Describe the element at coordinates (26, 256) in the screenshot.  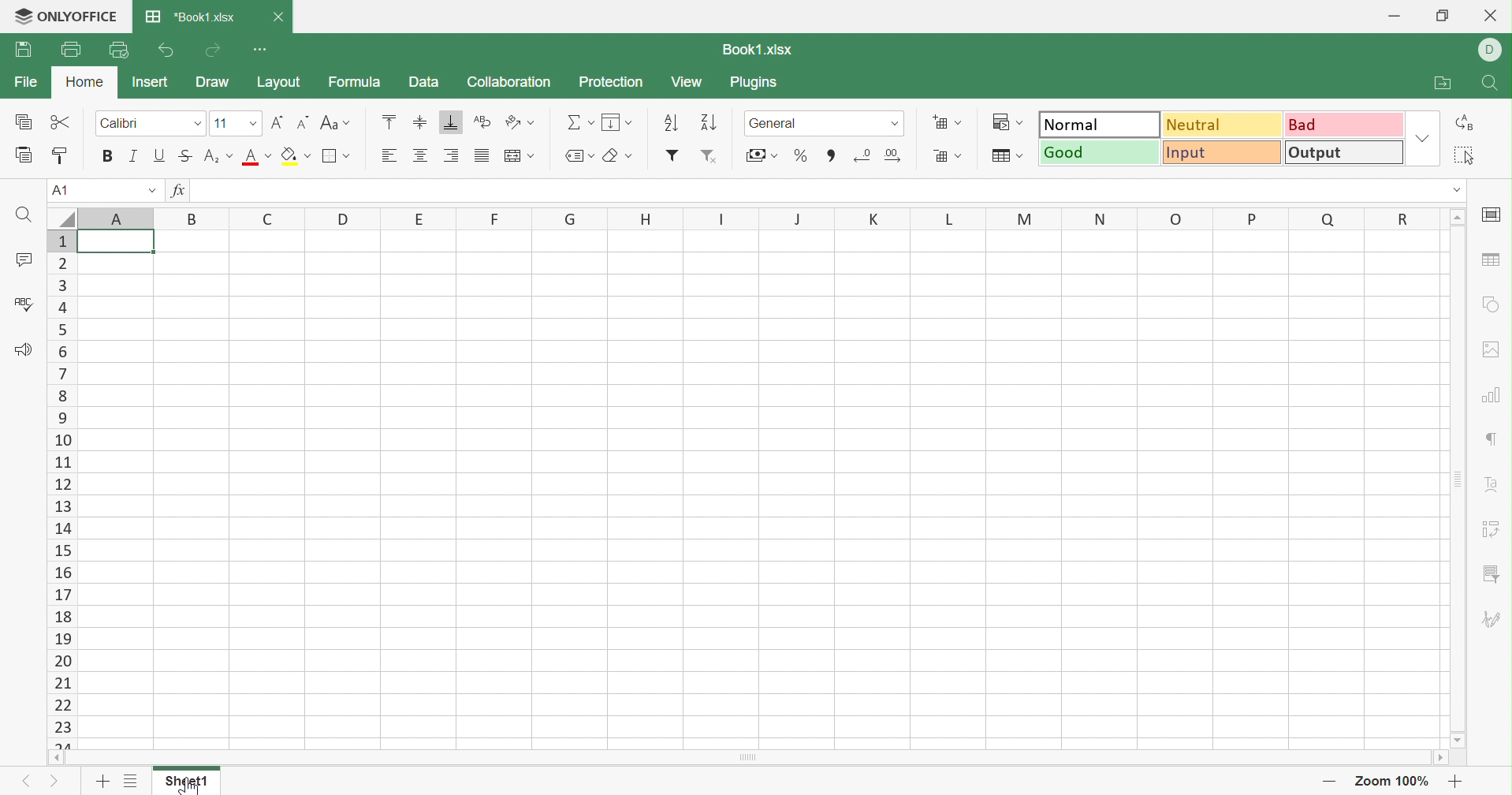
I see `Comments` at that location.